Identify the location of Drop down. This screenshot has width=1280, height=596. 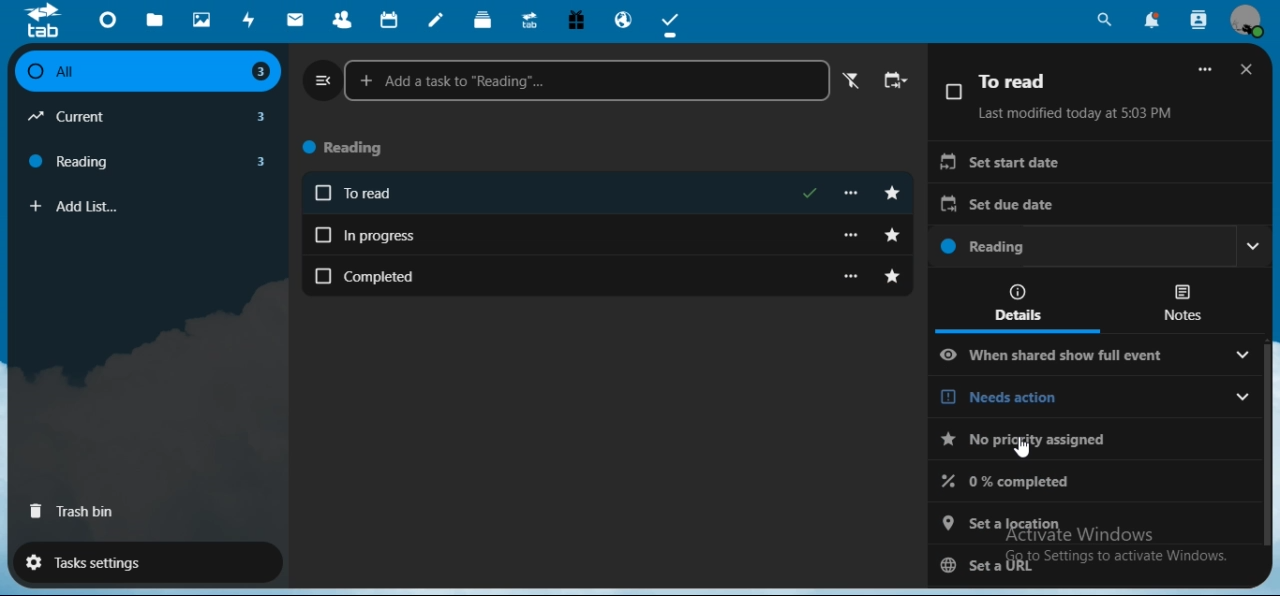
(1254, 246).